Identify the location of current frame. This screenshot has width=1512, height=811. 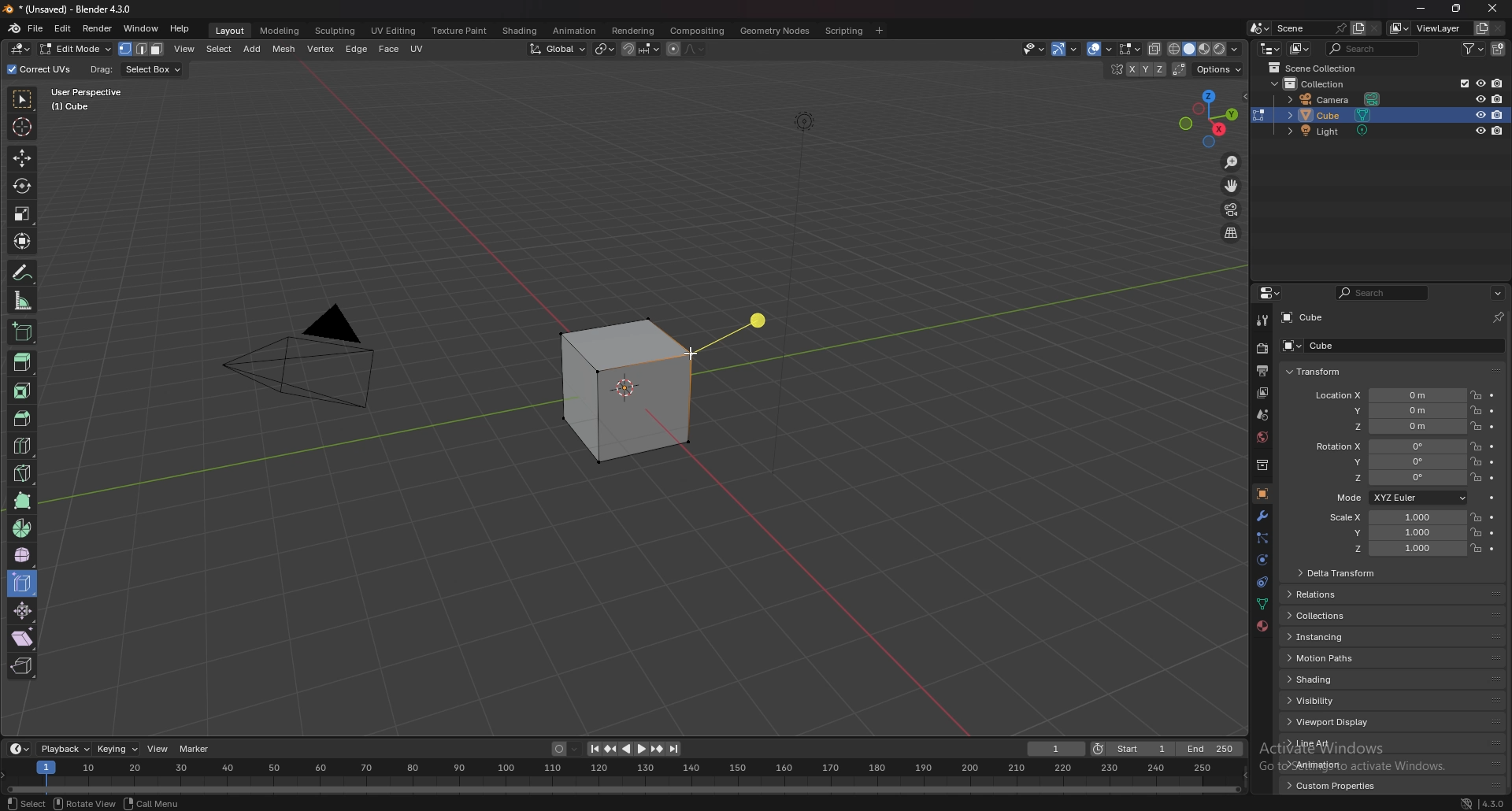
(1055, 749).